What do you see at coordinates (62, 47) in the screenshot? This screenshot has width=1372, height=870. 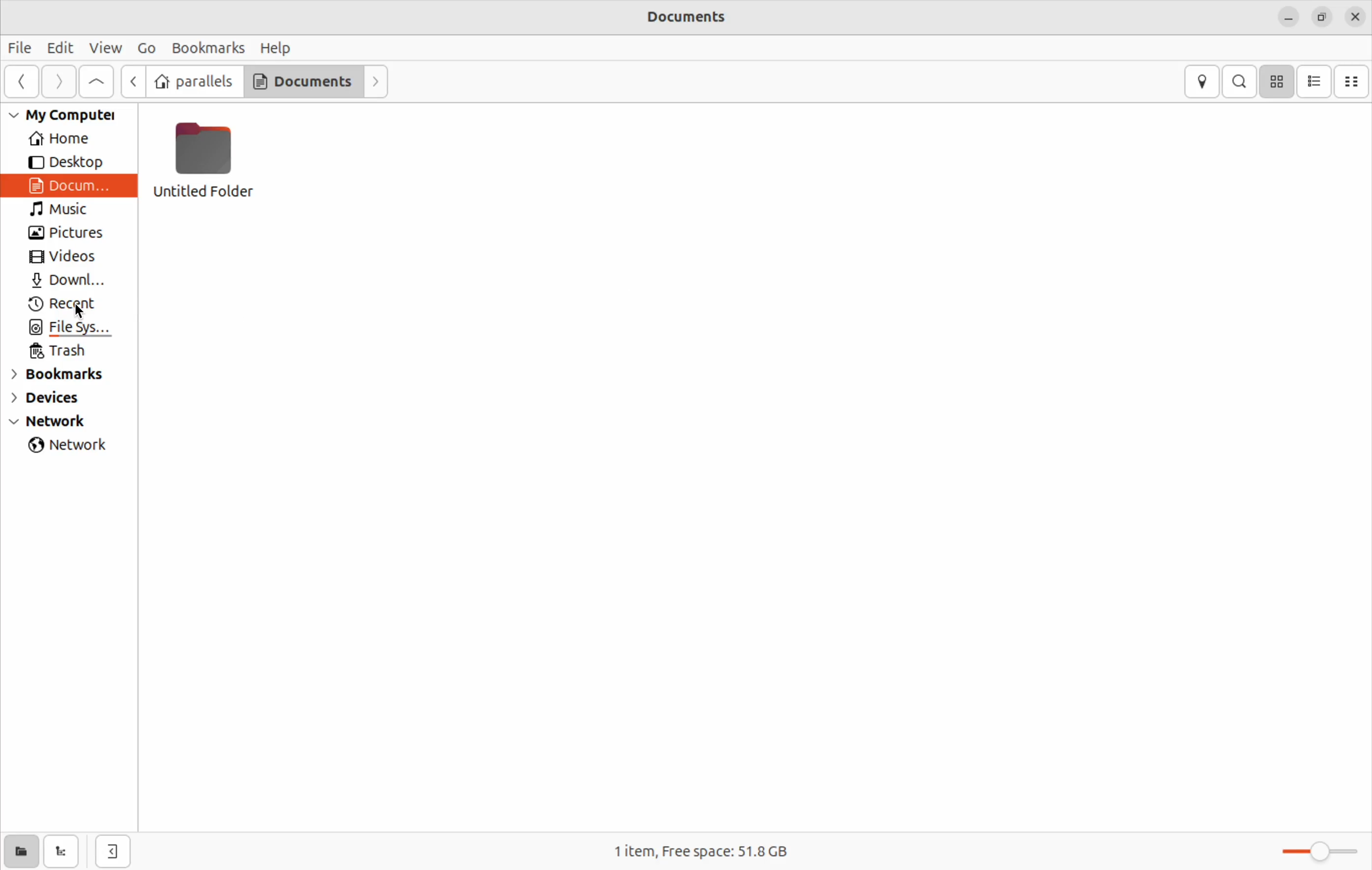 I see `Edit` at bounding box center [62, 47].